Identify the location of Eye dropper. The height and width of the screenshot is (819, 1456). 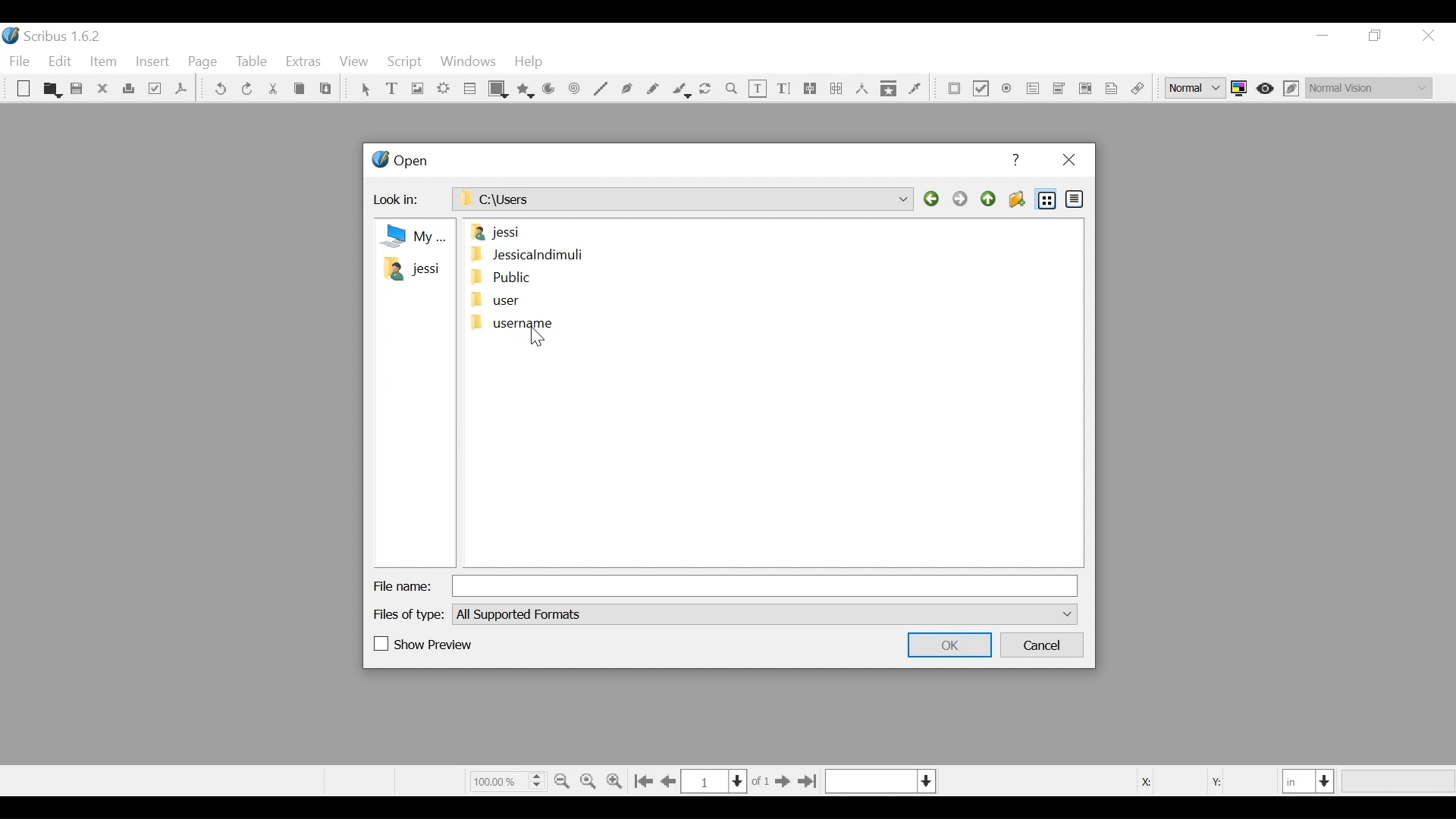
(915, 88).